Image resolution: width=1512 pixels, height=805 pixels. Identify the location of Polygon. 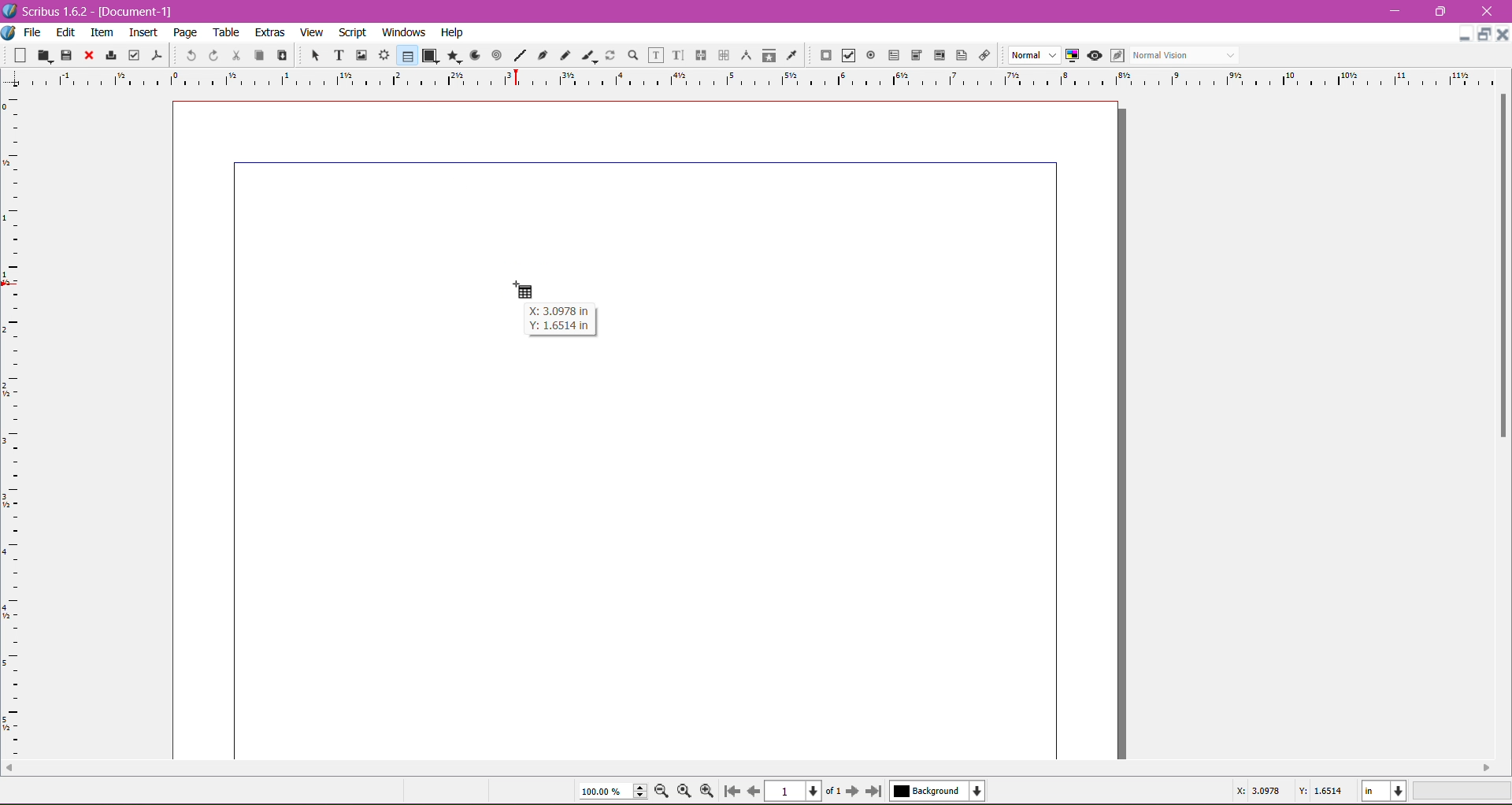
(451, 55).